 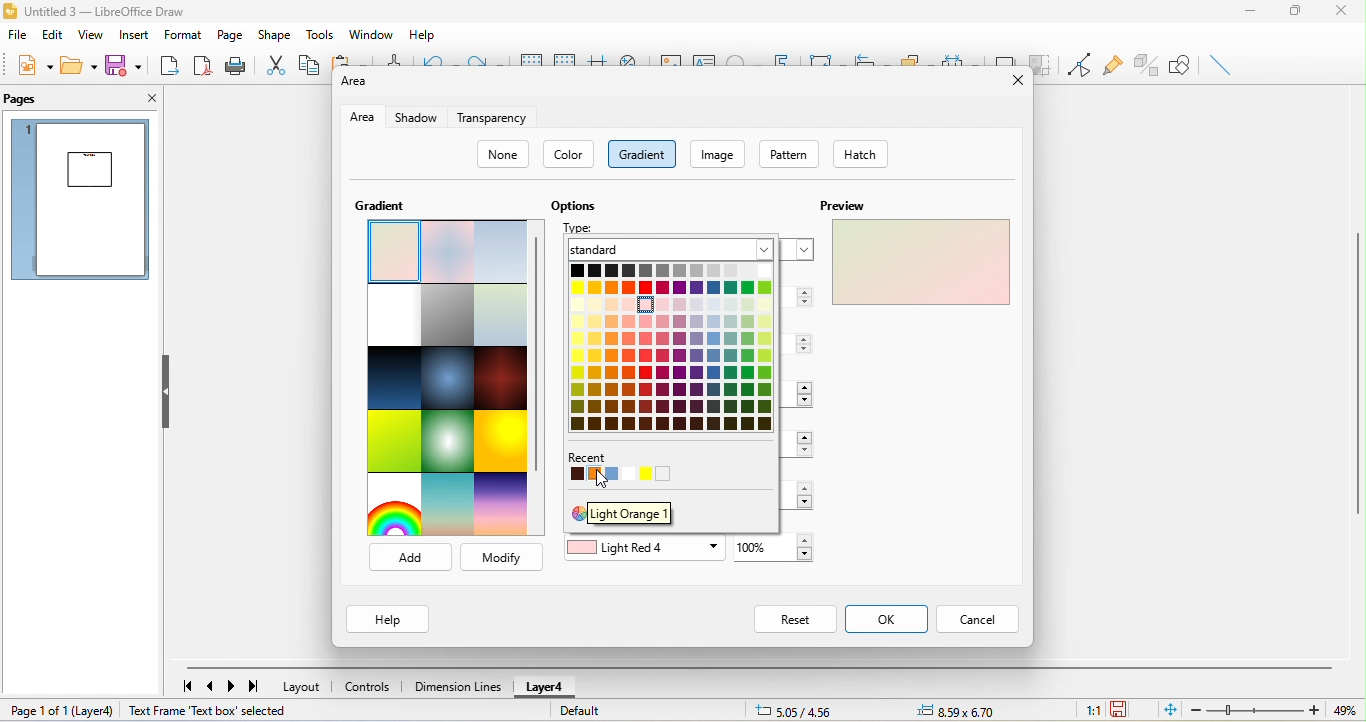 I want to click on undo, so click(x=437, y=56).